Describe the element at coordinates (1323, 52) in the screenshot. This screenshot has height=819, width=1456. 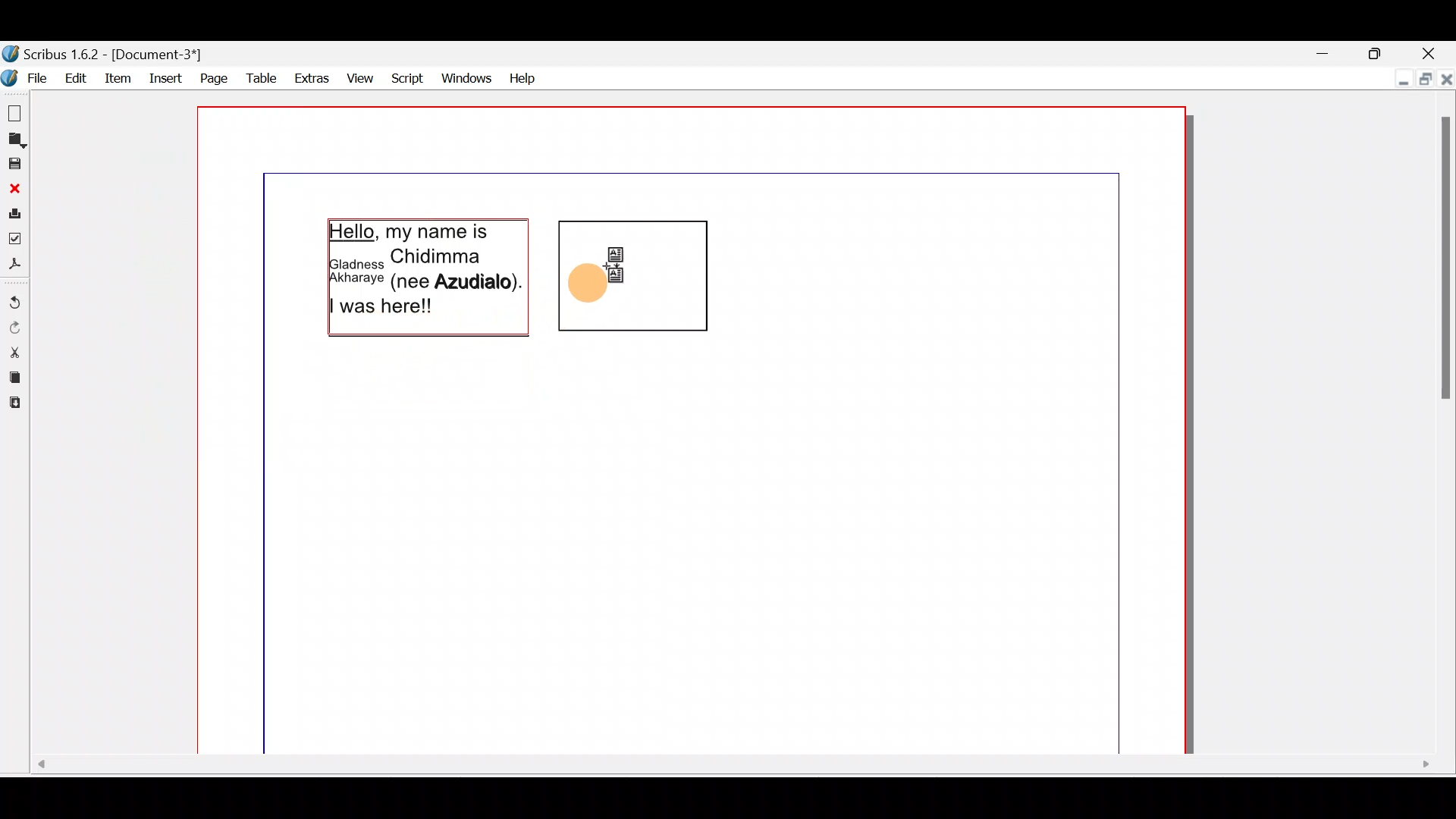
I see `Minimise` at that location.